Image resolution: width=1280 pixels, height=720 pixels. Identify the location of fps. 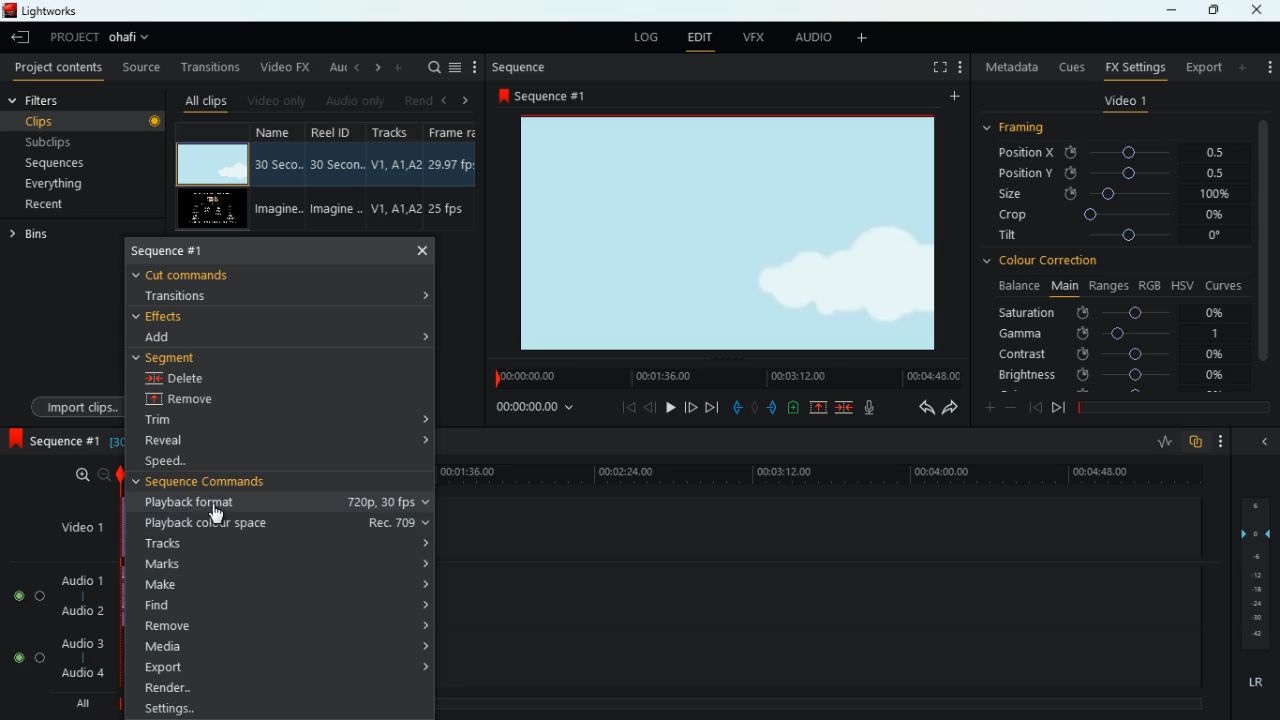
(449, 178).